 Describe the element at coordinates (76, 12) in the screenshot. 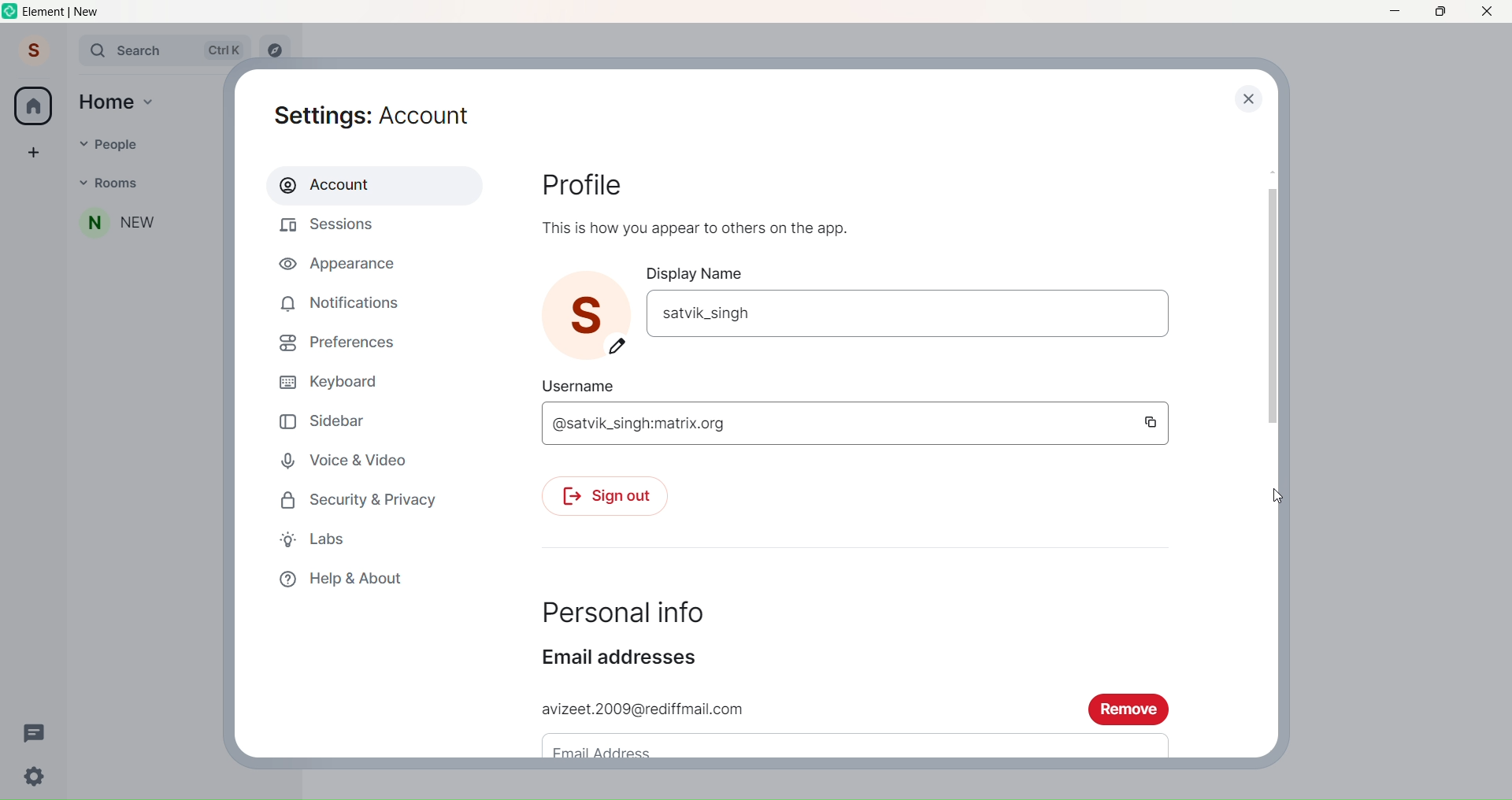

I see `Title ` at that location.